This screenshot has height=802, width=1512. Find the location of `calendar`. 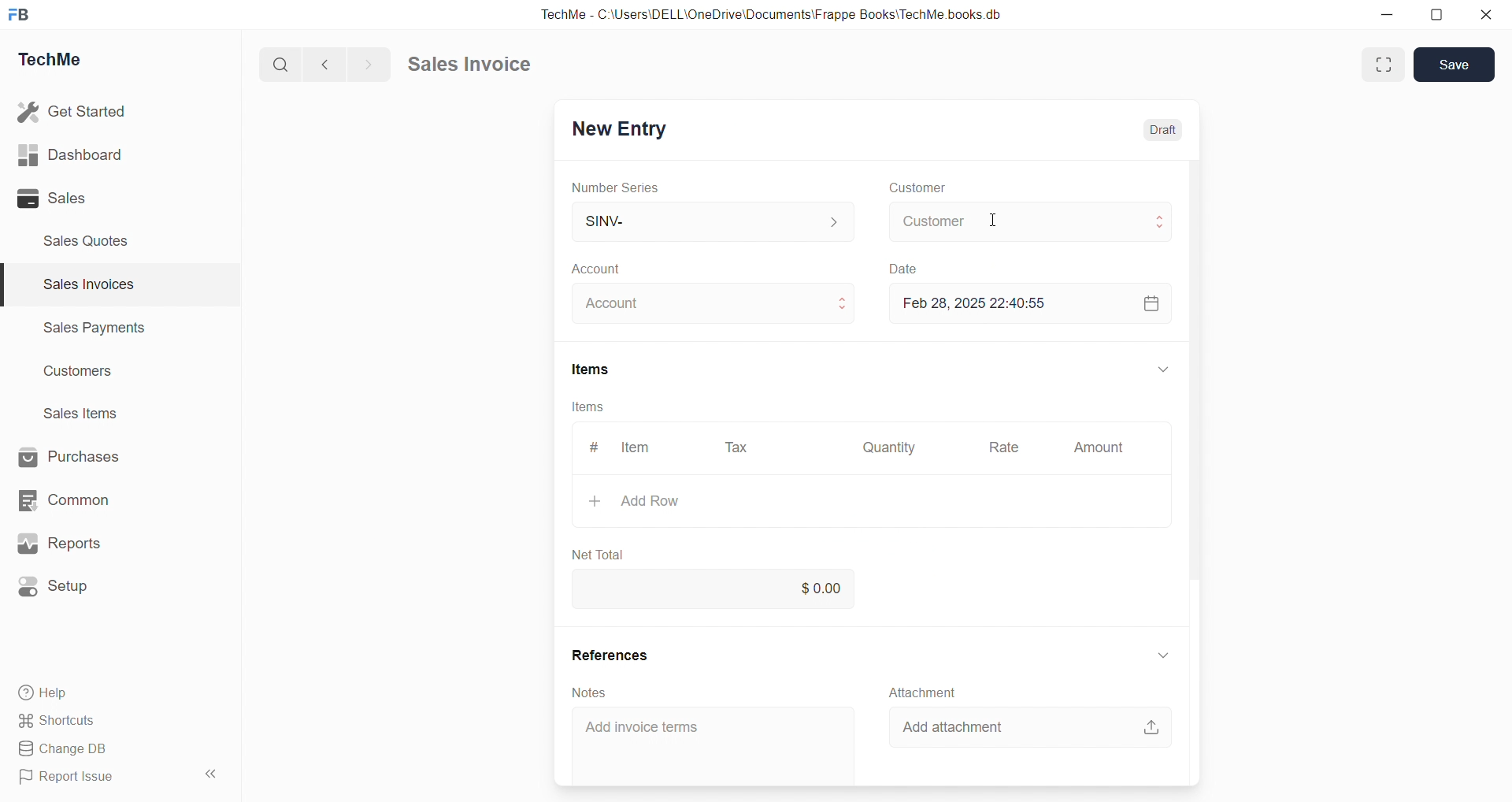

calendar is located at coordinates (1151, 303).